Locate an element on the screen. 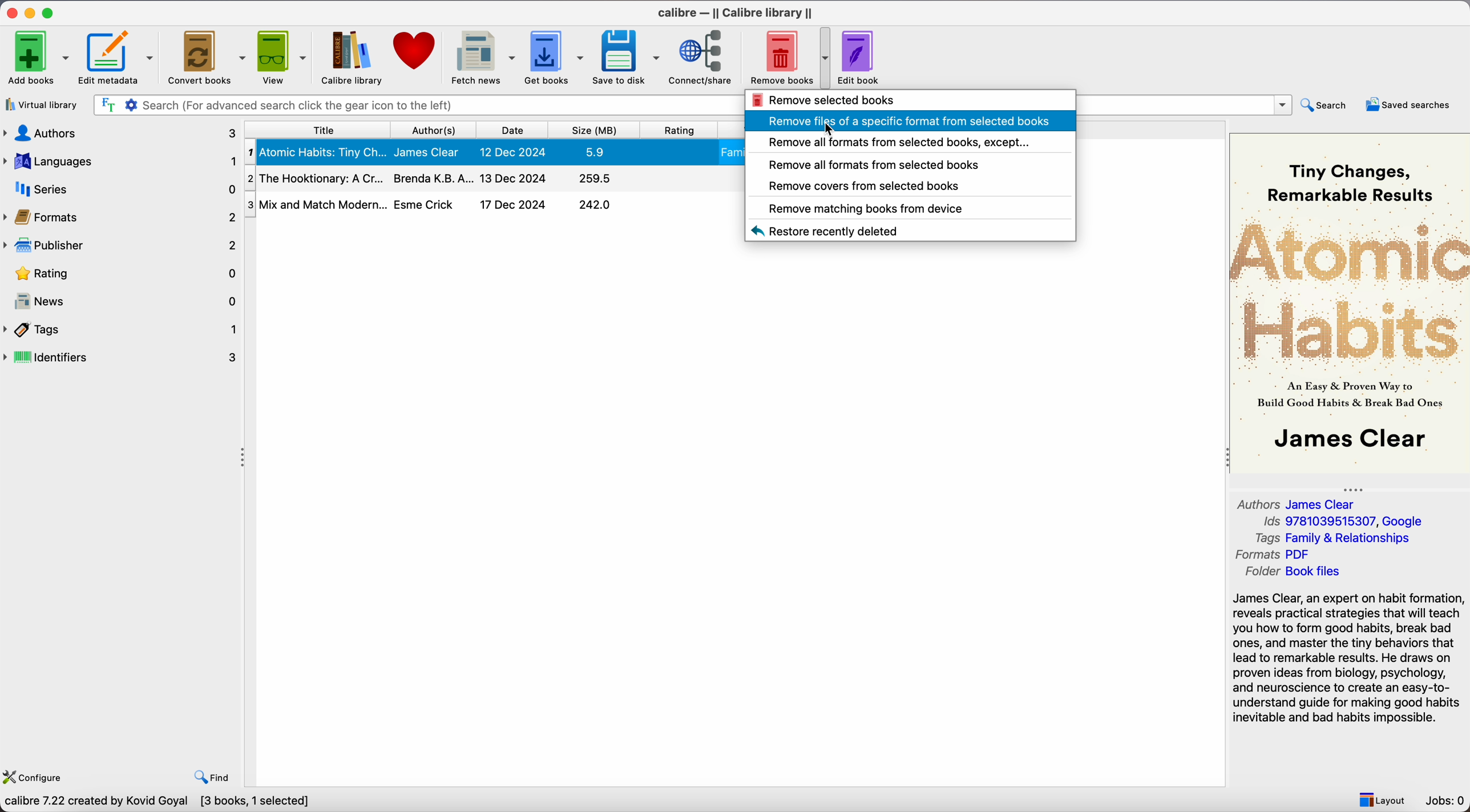 This screenshot has width=1470, height=812. add books is located at coordinates (37, 58).